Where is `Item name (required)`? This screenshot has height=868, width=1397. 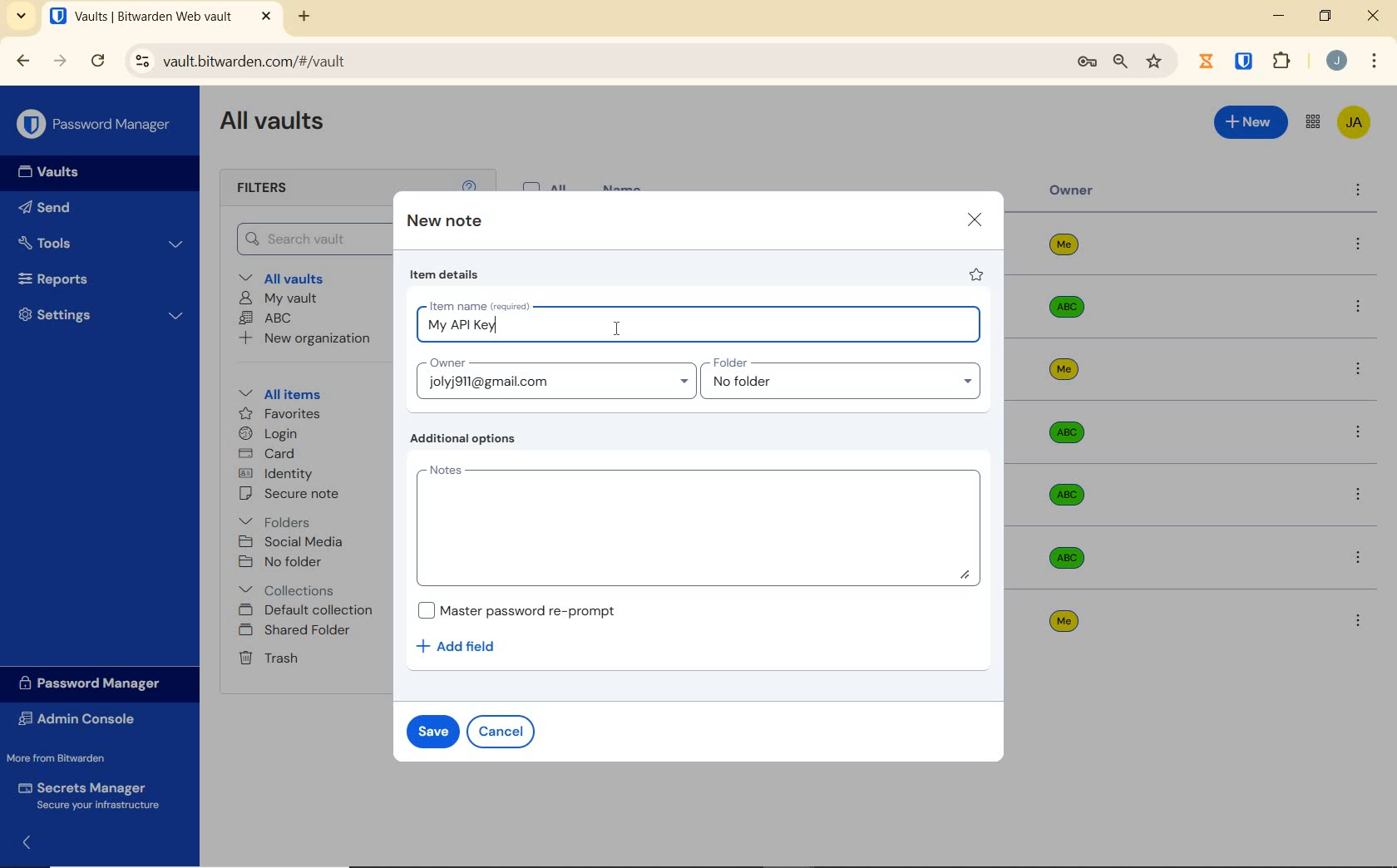
Item name (required) is located at coordinates (478, 303).